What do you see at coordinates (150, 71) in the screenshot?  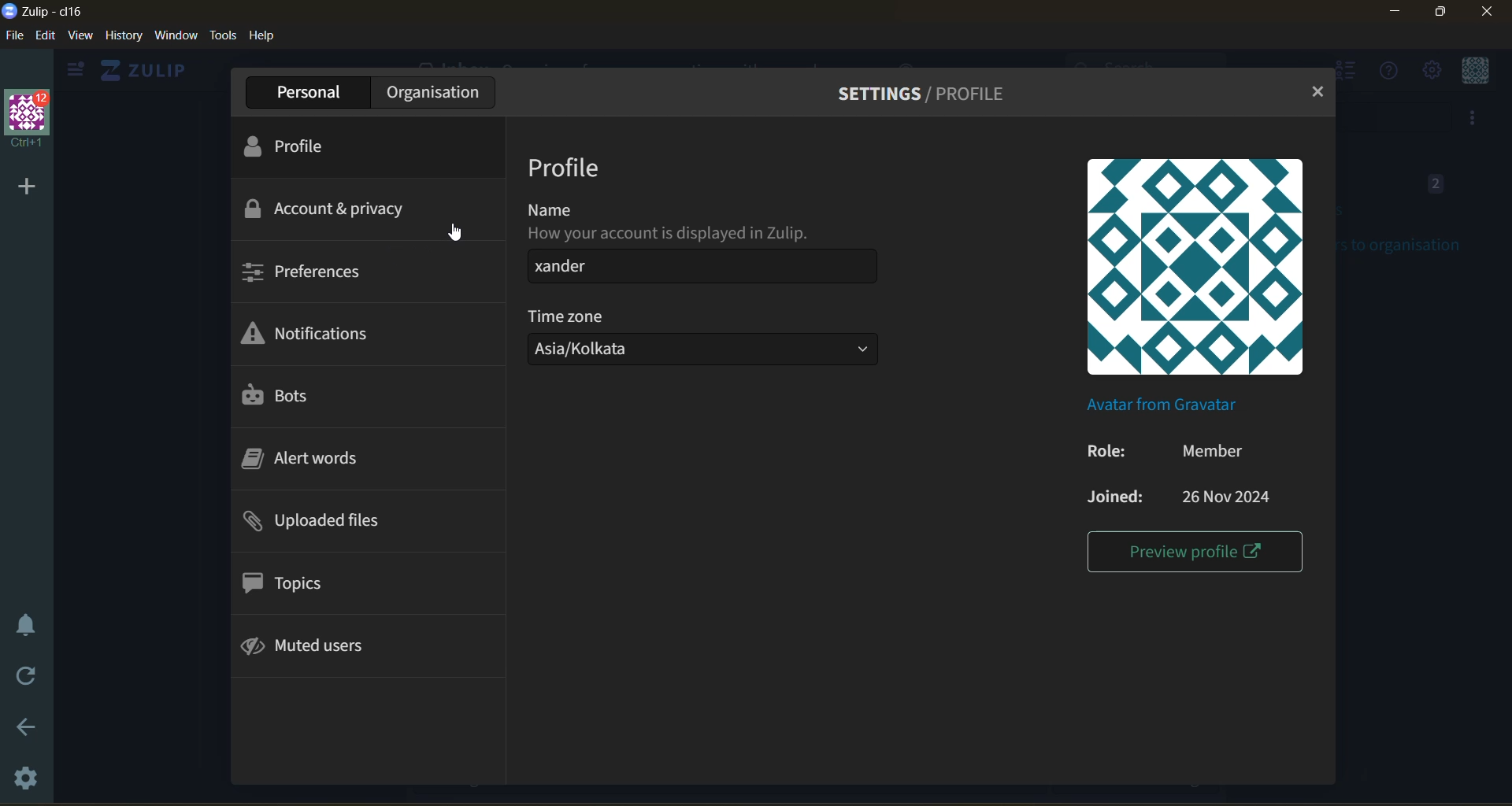 I see `ZULIP` at bounding box center [150, 71].